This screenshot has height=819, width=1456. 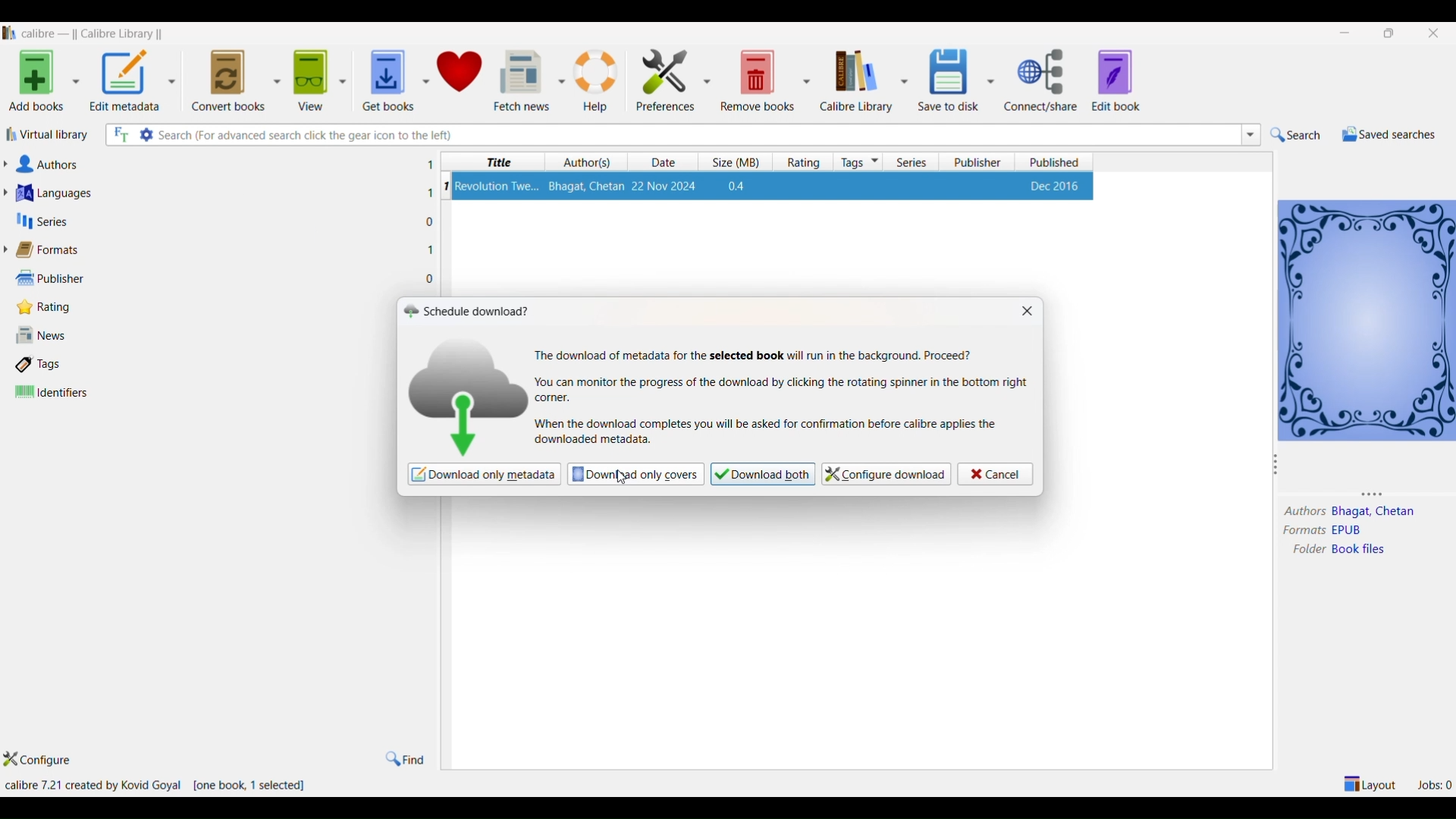 I want to click on authors and number of authors, so click(x=52, y=165).